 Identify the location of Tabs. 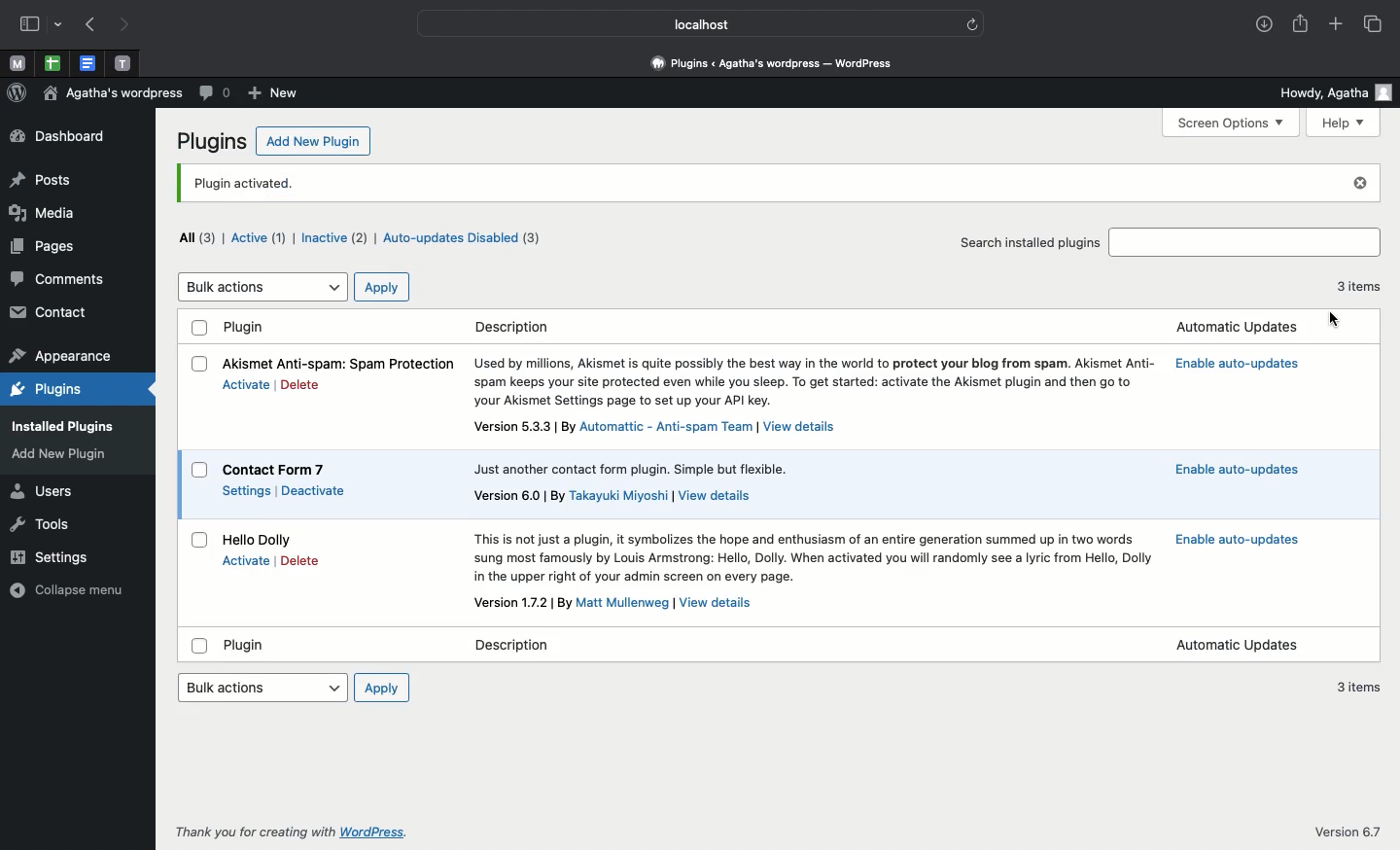
(1374, 23).